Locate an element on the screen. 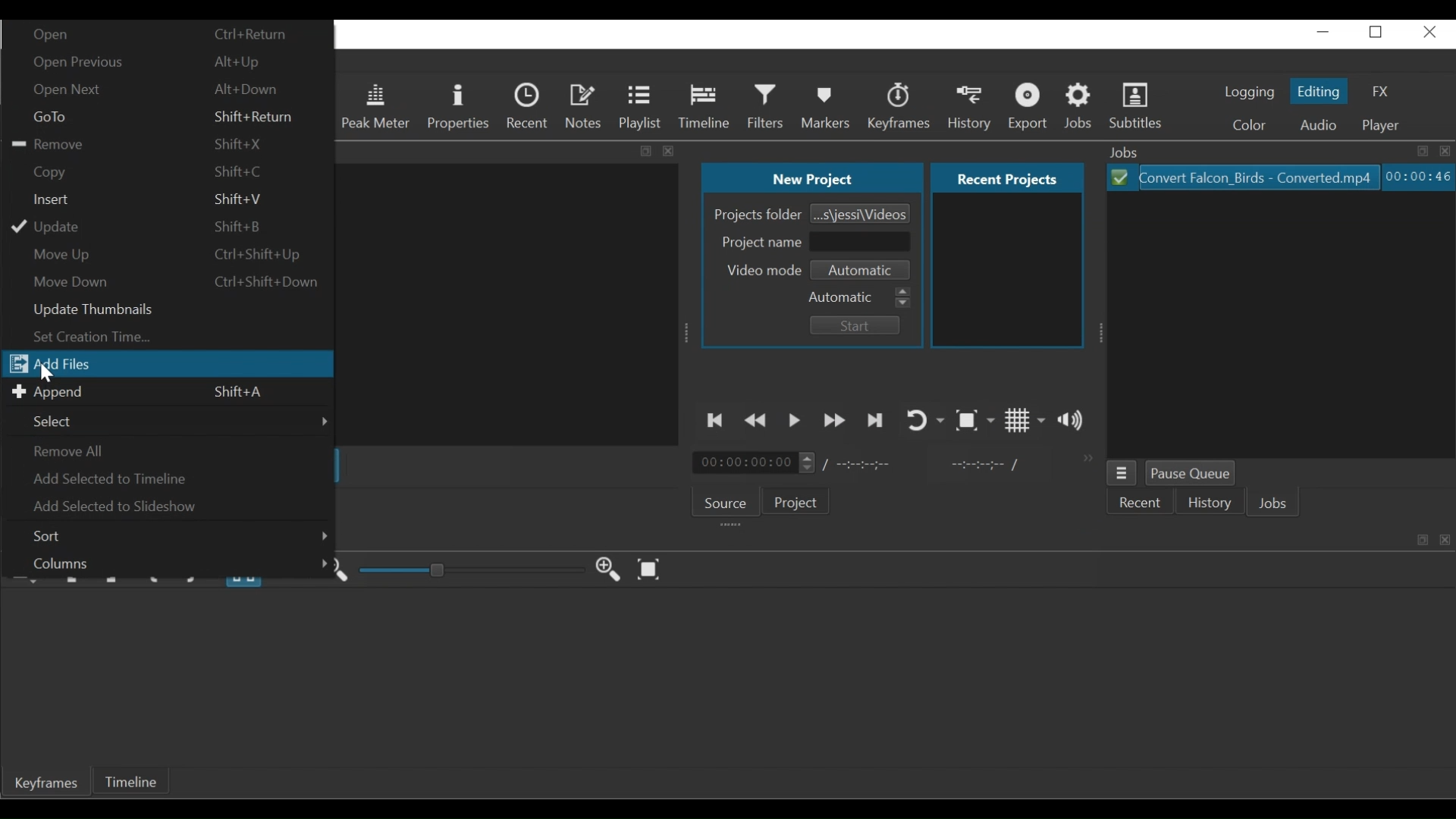 The height and width of the screenshot is (819, 1456). Recent is located at coordinates (529, 106).